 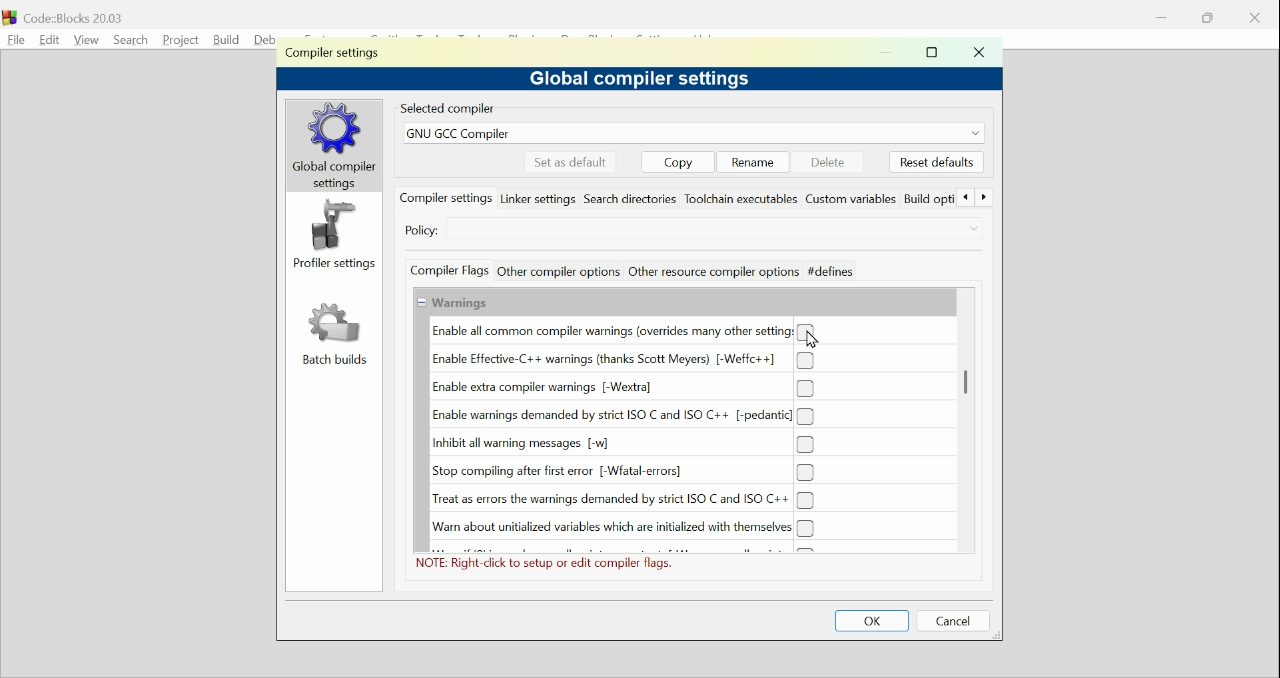 I want to click on Compiler setting, so click(x=338, y=54).